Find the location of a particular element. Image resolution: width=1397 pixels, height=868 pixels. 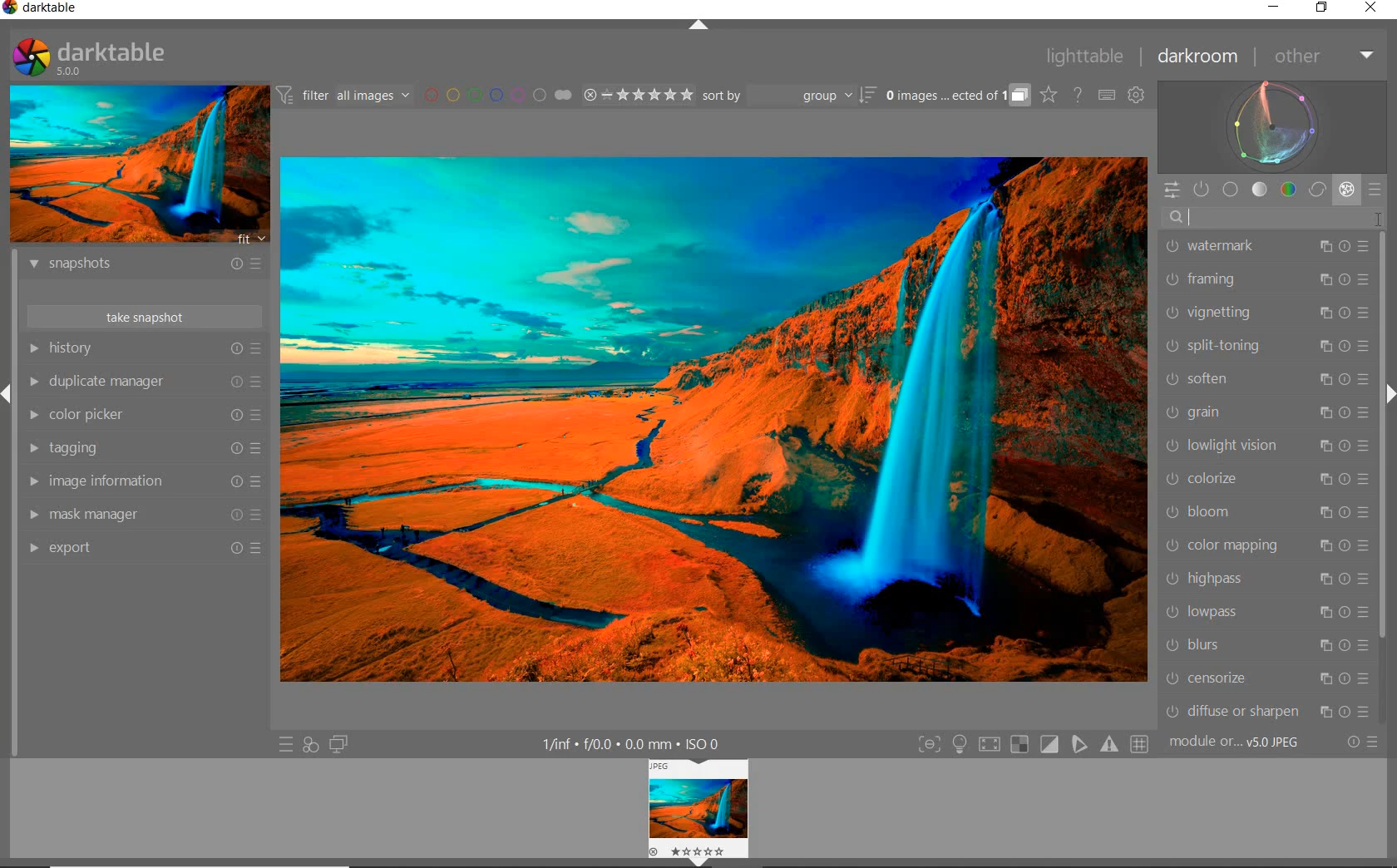

DISPLAY A SECOND DARKROOM IMAGE WINDOW is located at coordinates (339, 744).